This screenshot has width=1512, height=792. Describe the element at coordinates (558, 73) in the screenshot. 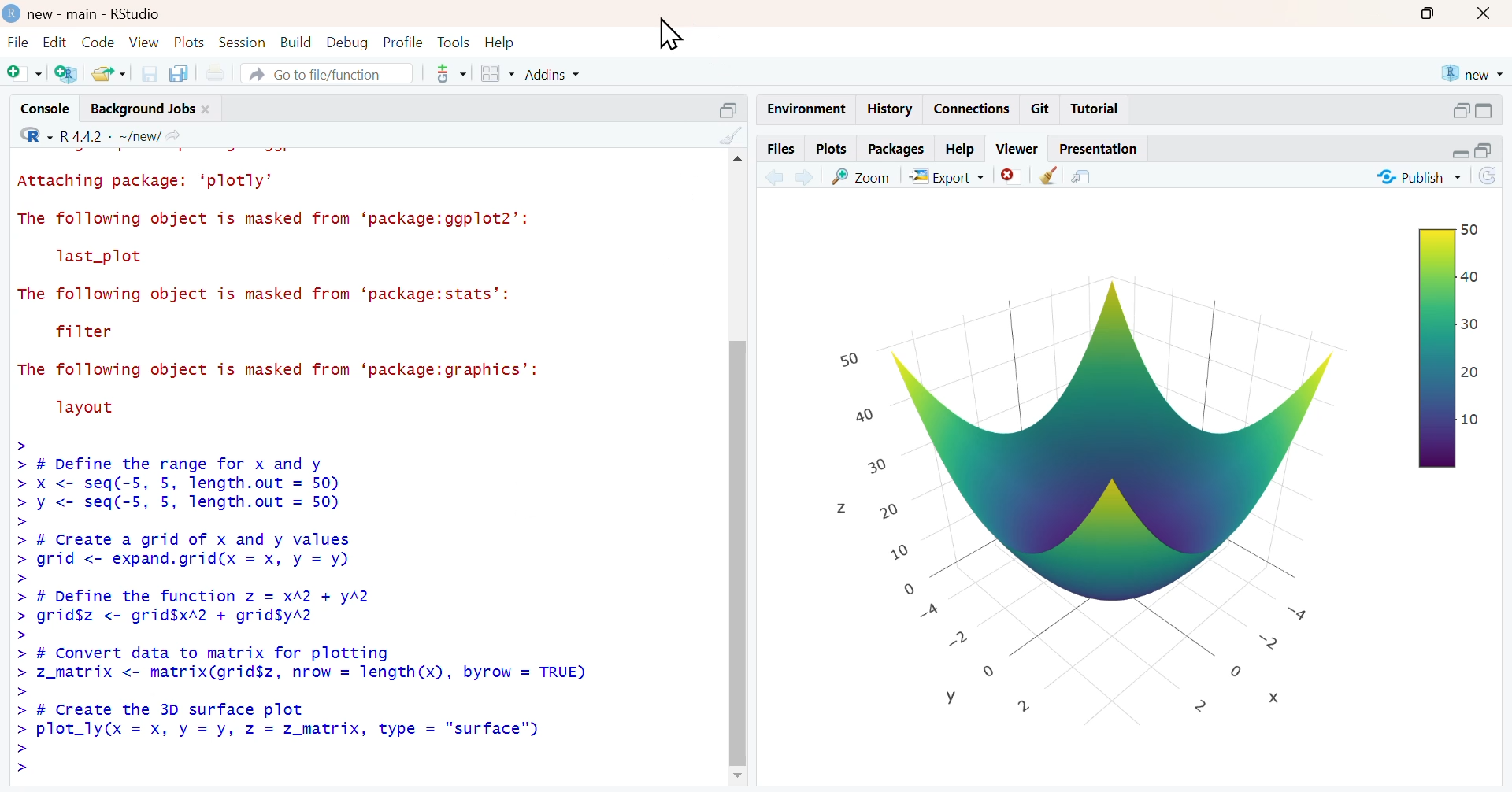

I see `addins` at that location.